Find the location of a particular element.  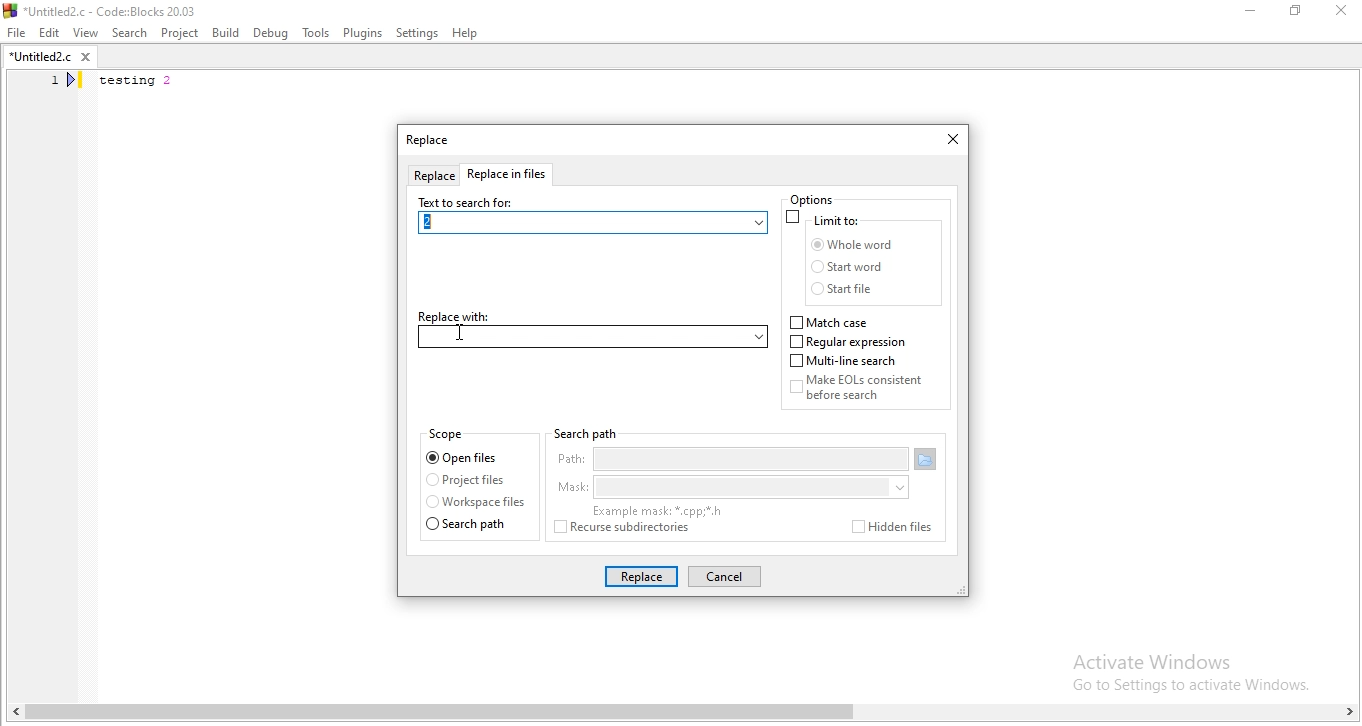

cursor is located at coordinates (462, 337).